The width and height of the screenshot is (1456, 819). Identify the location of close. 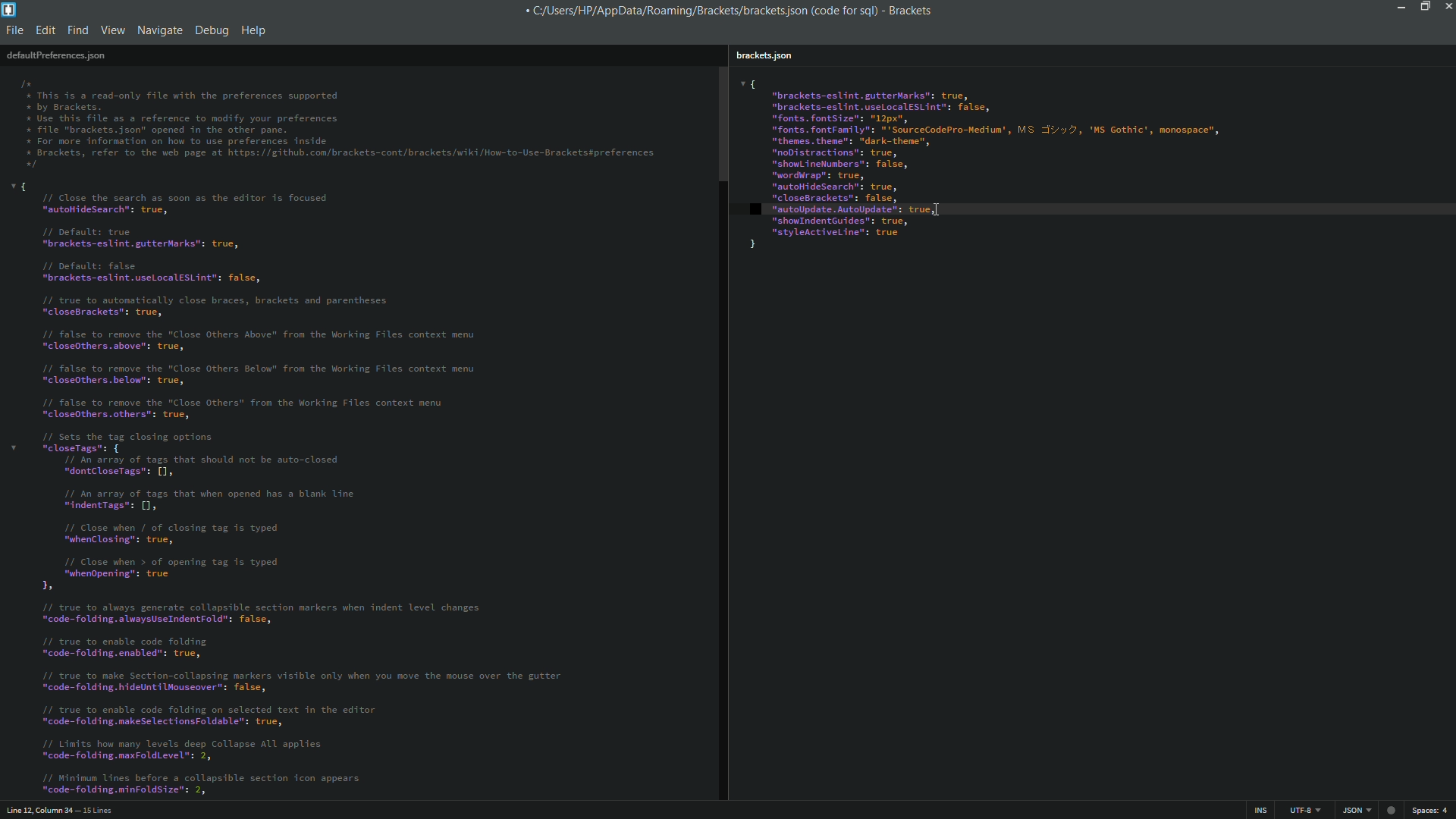
(1446, 9).